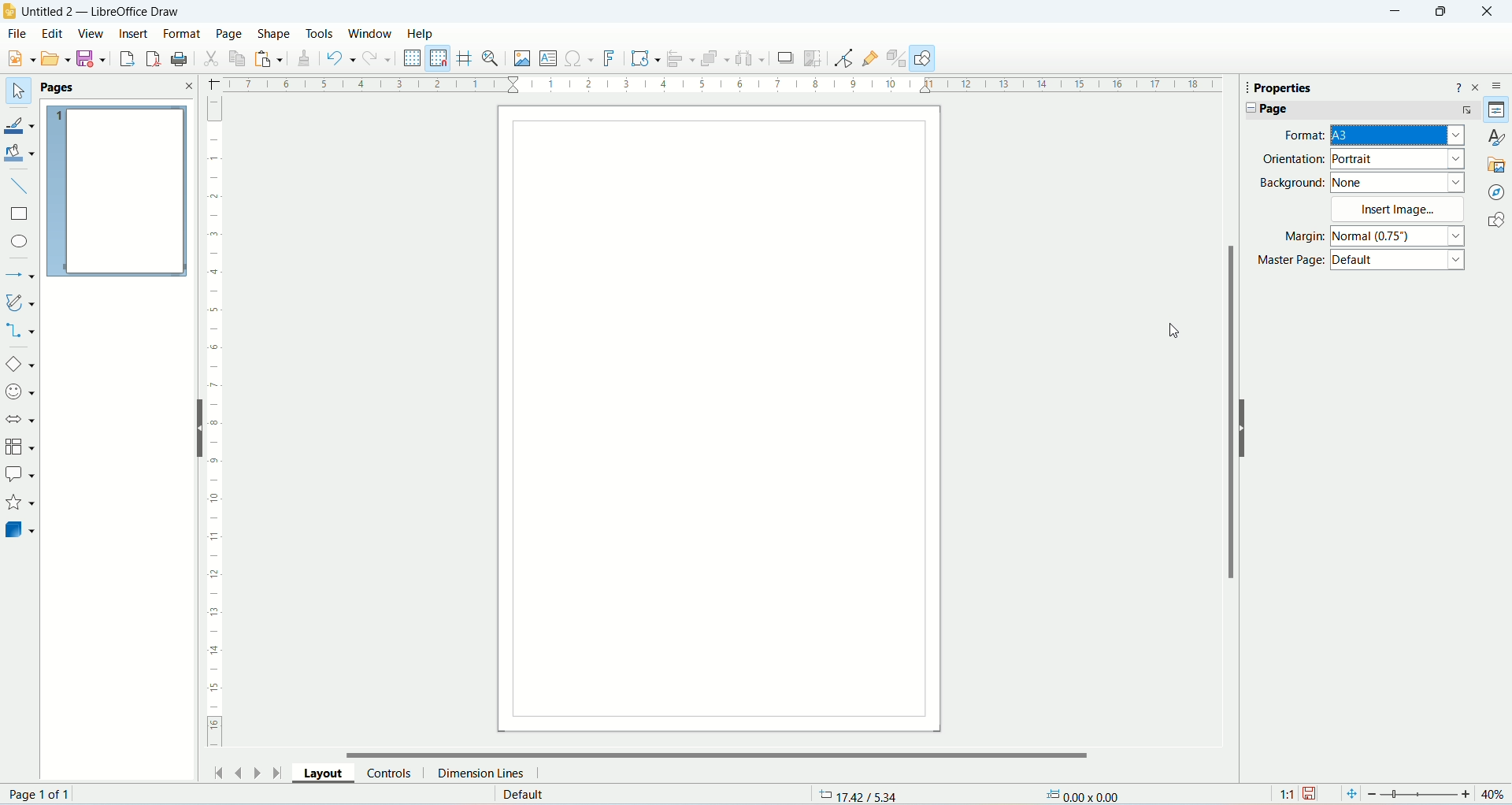 Image resolution: width=1512 pixels, height=805 pixels. I want to click on maximize, so click(1440, 15).